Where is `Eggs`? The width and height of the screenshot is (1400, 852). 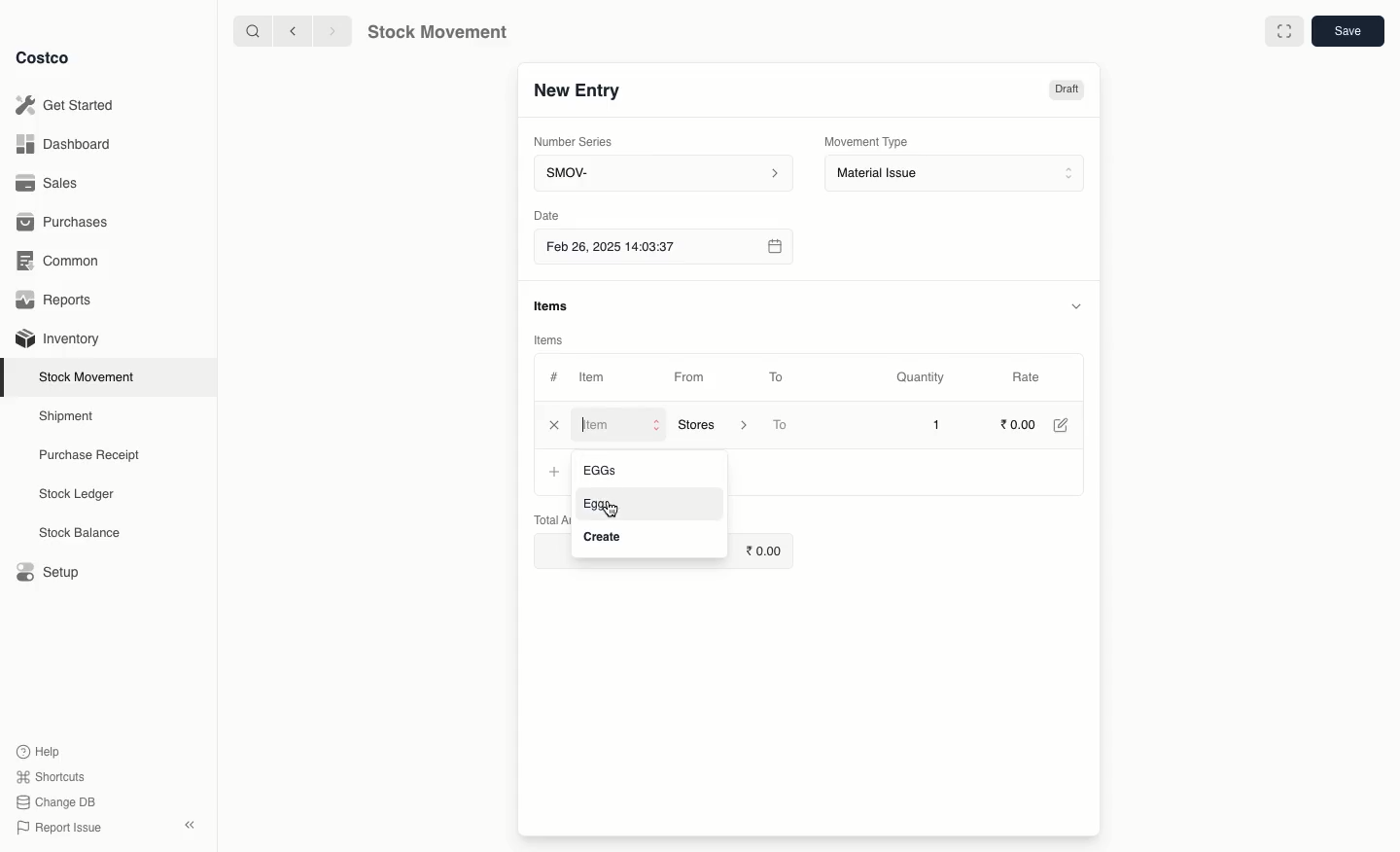 Eggs is located at coordinates (604, 472).